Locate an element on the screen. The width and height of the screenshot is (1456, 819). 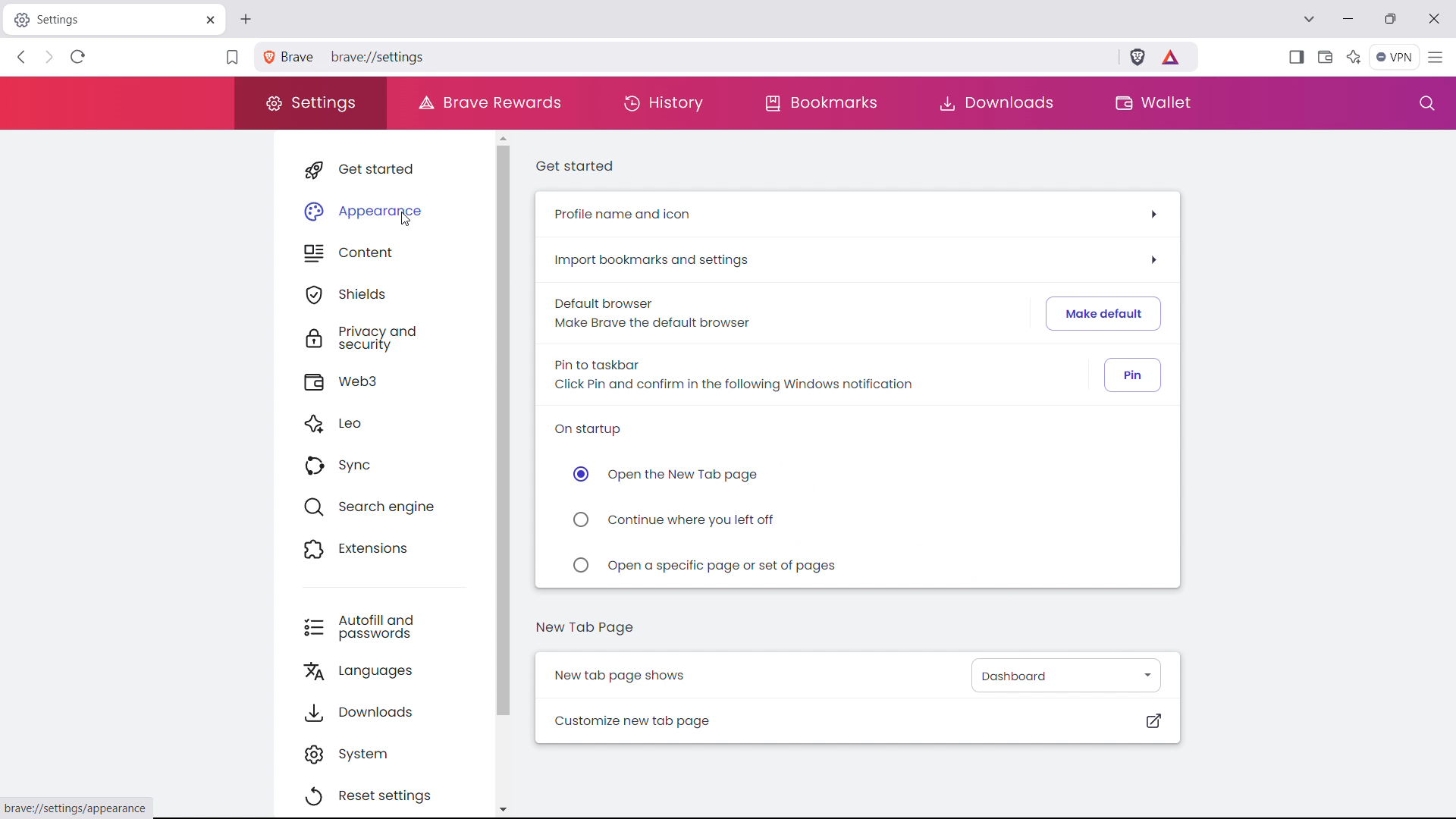
new tab page is located at coordinates (586, 627).